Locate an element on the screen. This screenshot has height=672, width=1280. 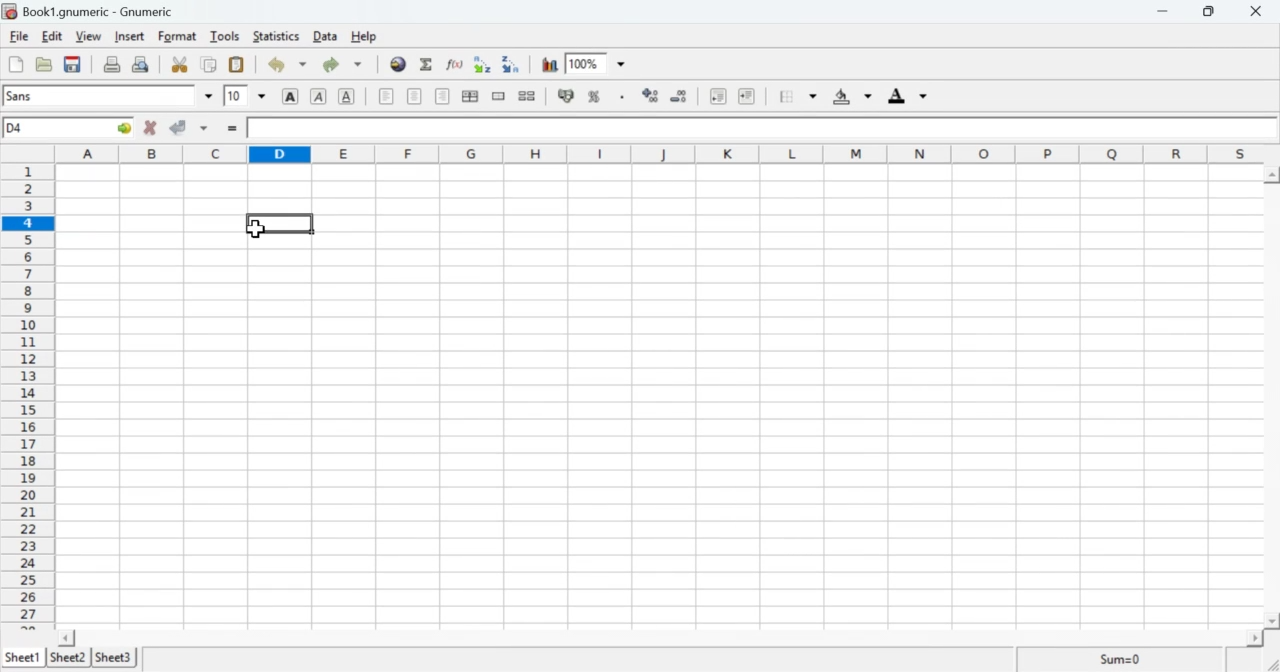
Sheet 2 is located at coordinates (70, 658).